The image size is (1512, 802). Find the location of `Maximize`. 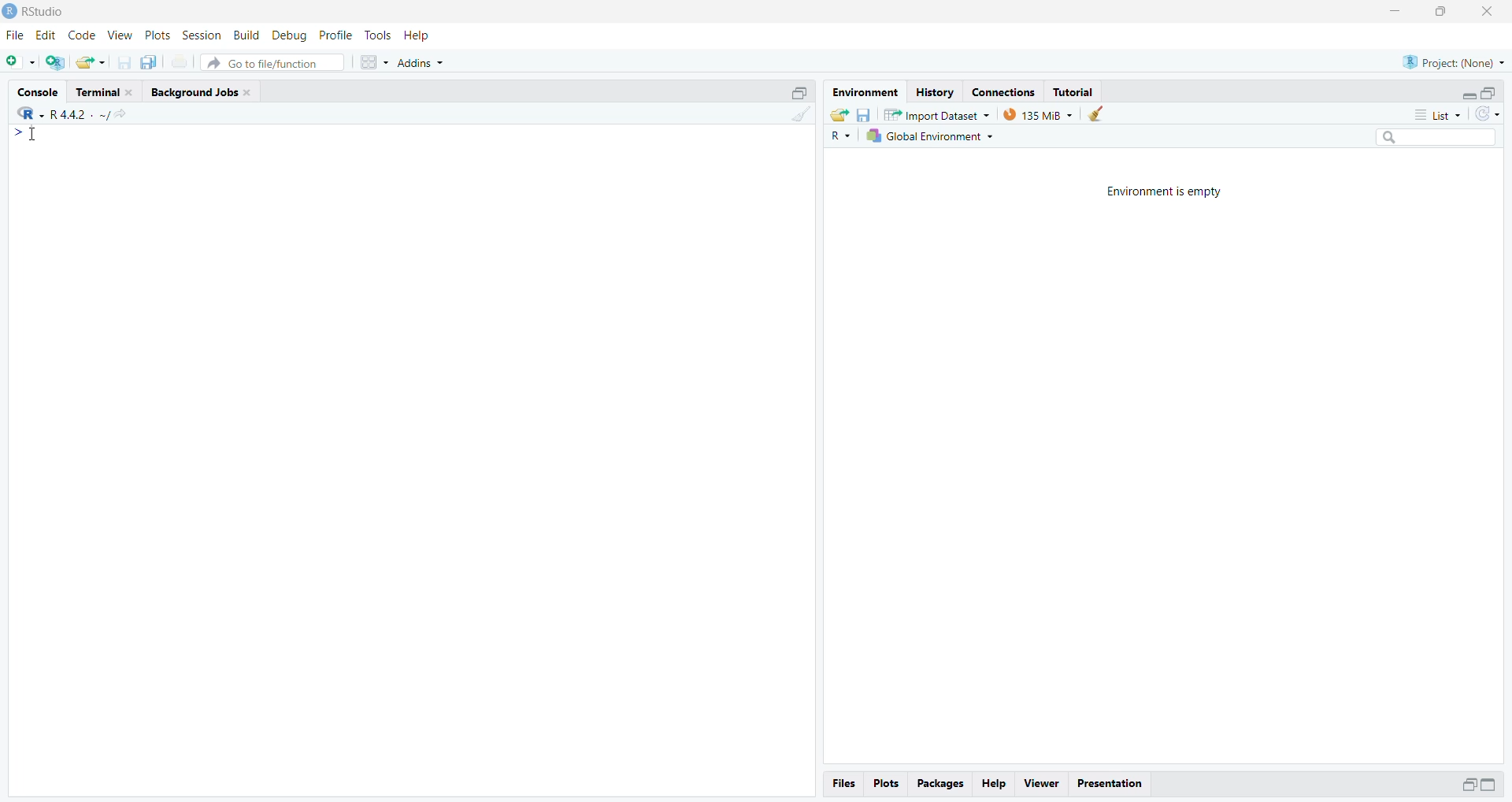

Maximize is located at coordinates (1493, 785).